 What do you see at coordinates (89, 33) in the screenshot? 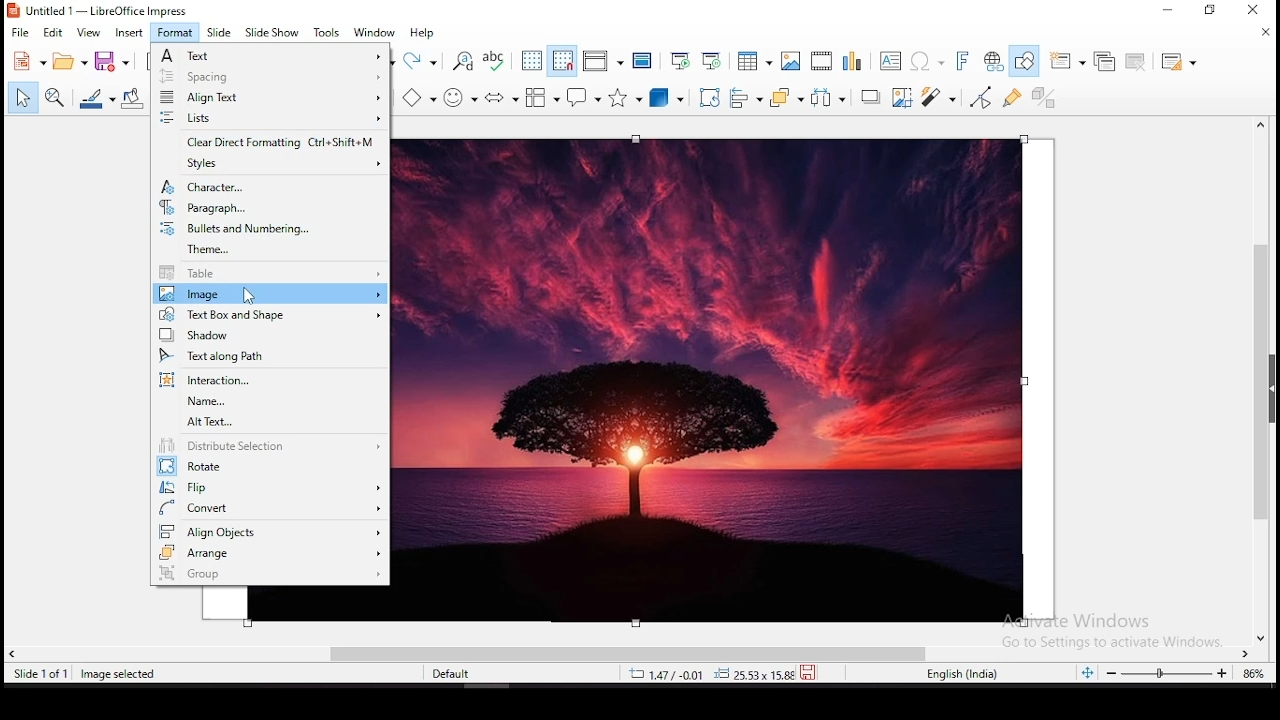
I see `view` at bounding box center [89, 33].